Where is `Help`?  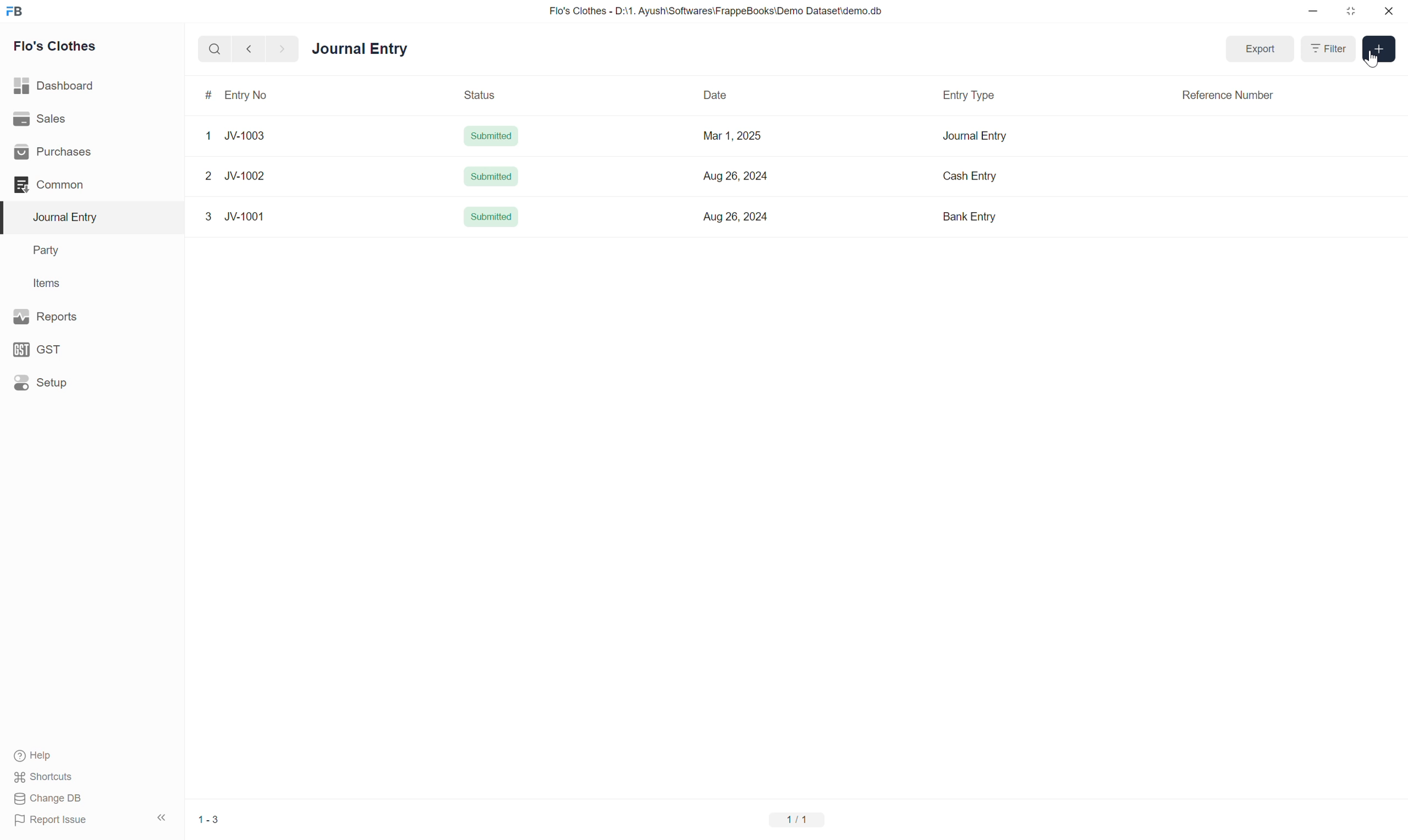 Help is located at coordinates (36, 756).